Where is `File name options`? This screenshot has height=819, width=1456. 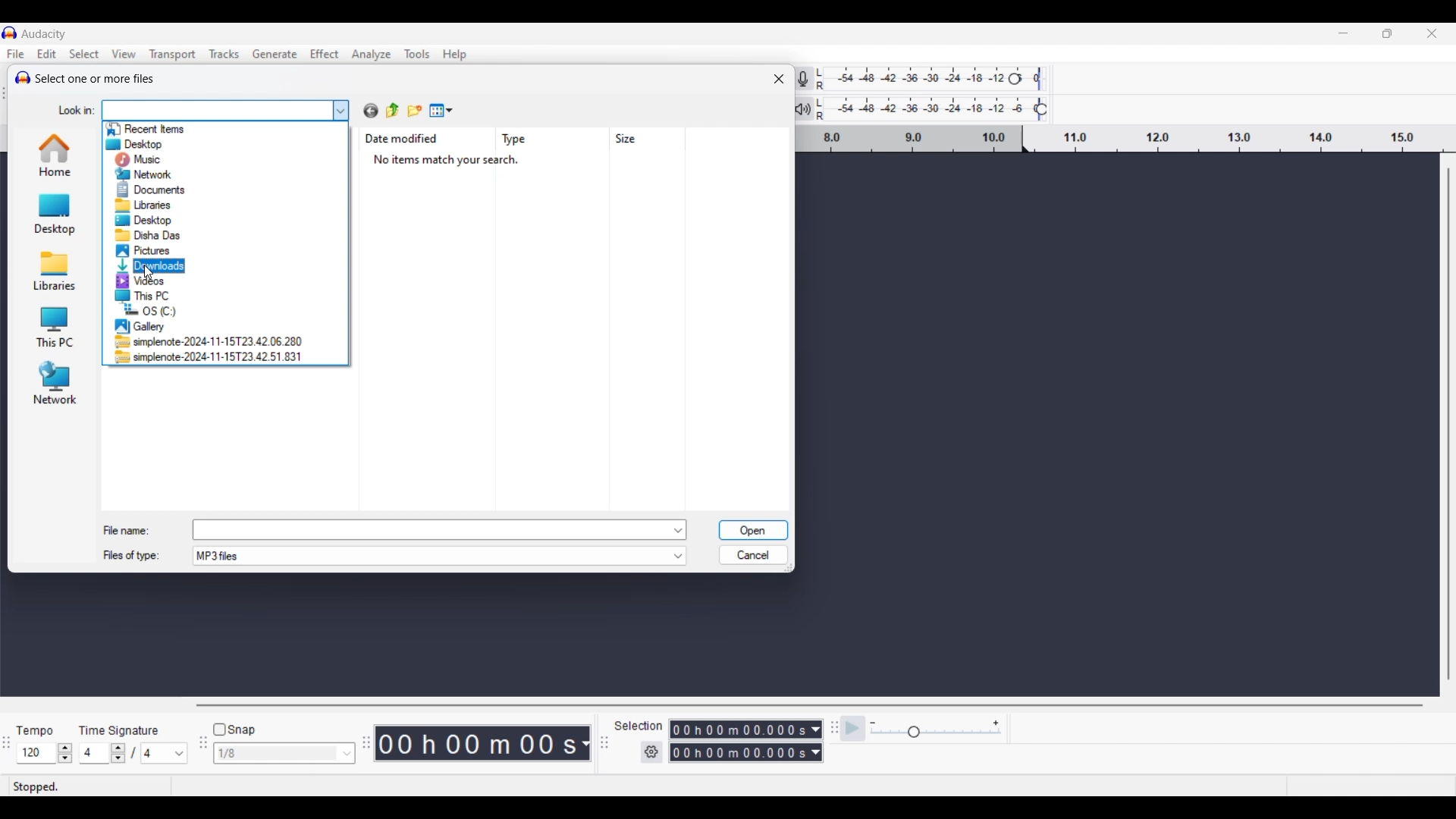
File name options is located at coordinates (679, 530).